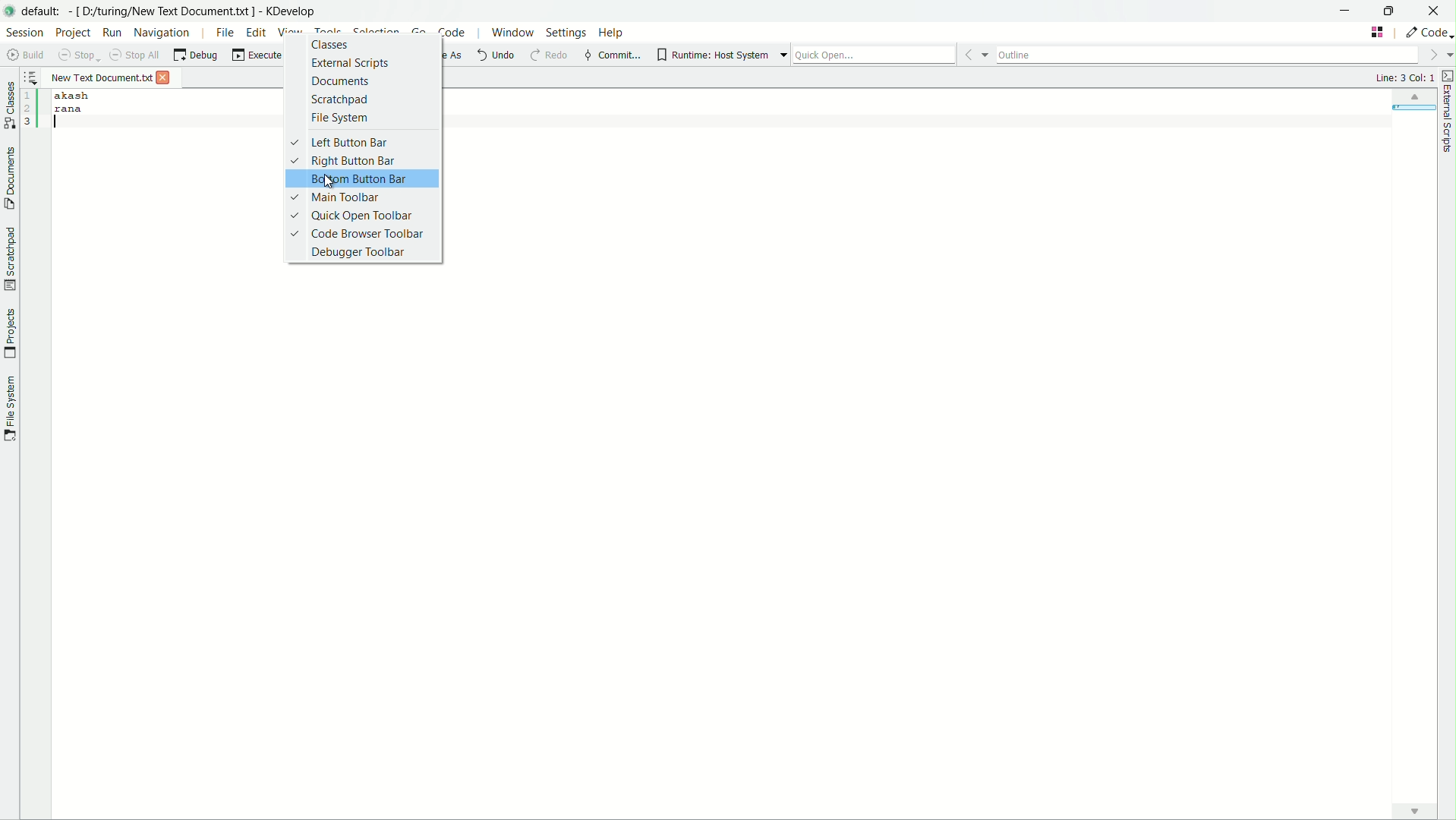 The image size is (1456, 820). Describe the element at coordinates (419, 32) in the screenshot. I see `go menu` at that location.